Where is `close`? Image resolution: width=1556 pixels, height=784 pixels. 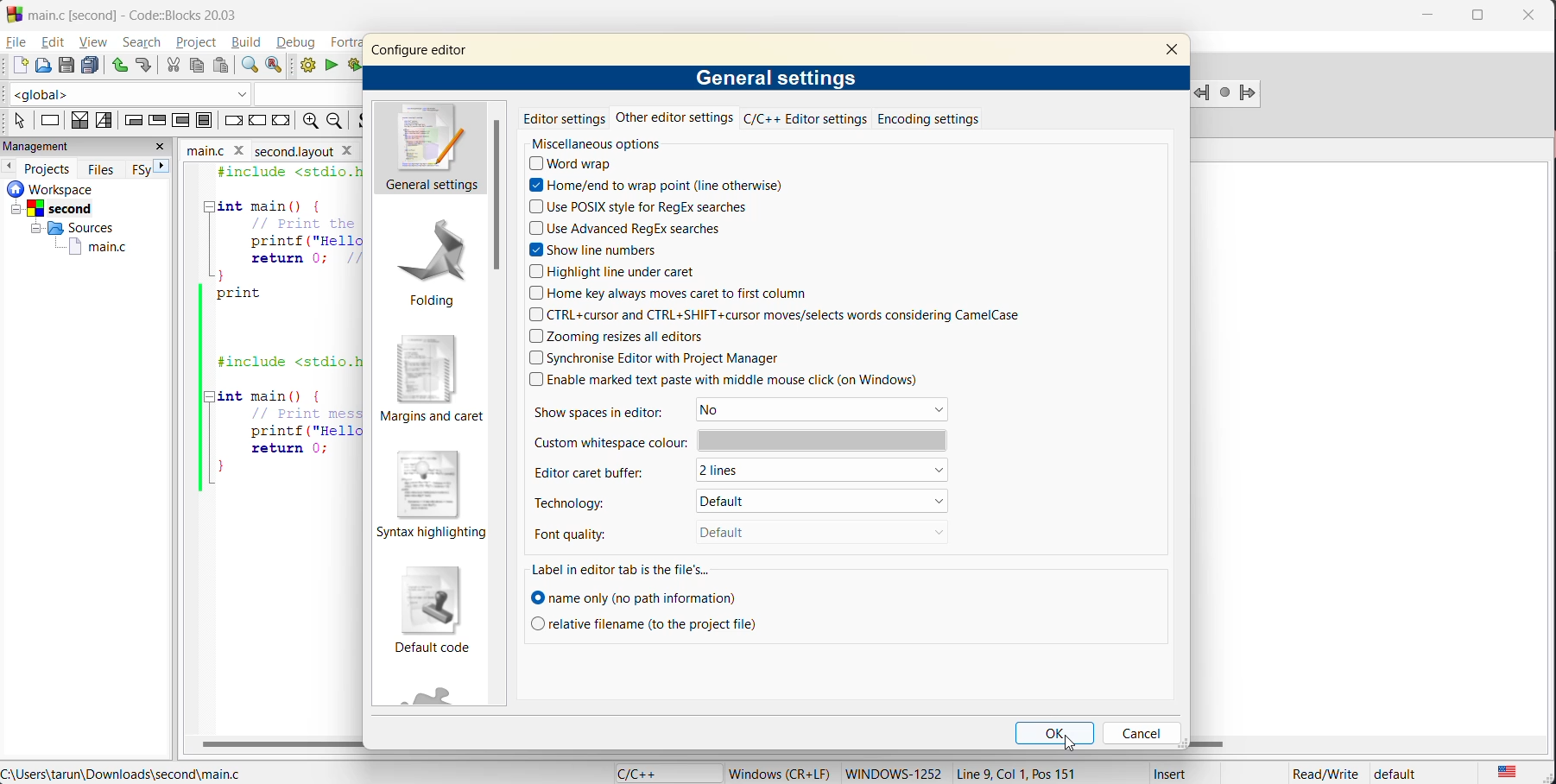 close is located at coordinates (239, 149).